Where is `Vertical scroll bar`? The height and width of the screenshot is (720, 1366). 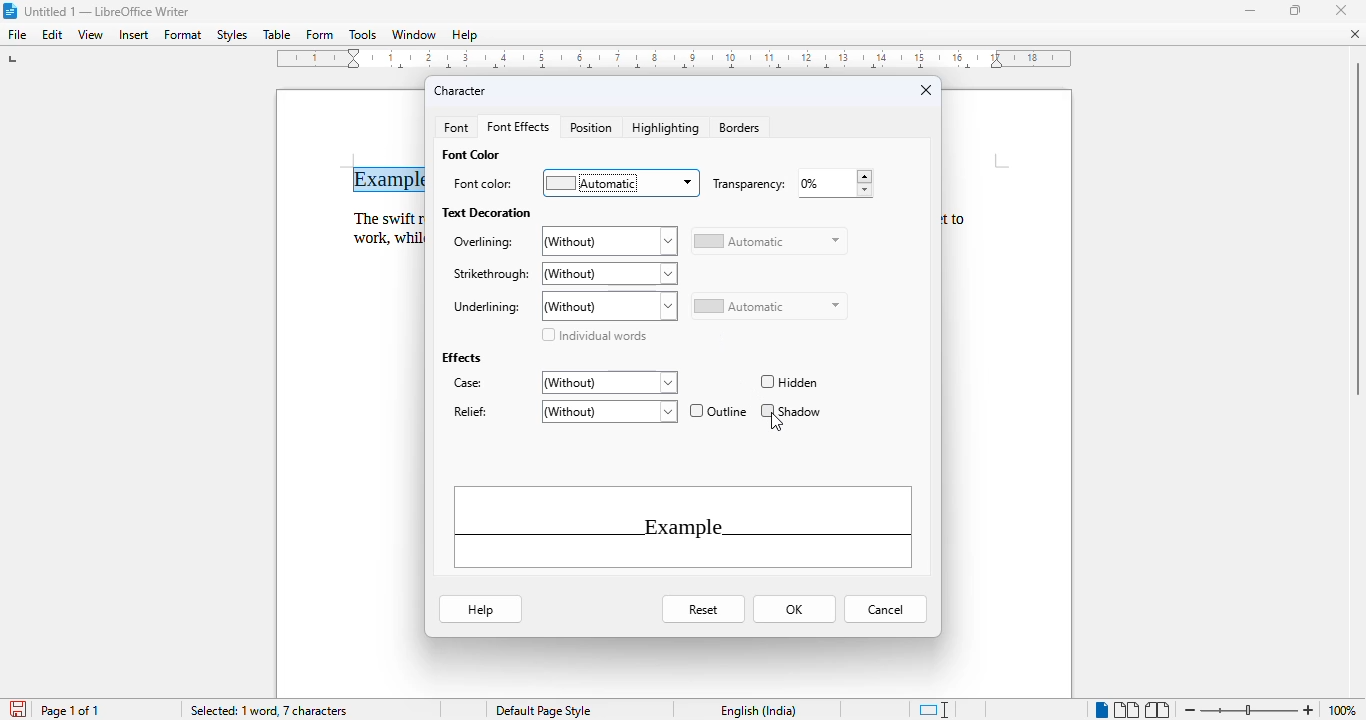
Vertical scroll bar is located at coordinates (1357, 230).